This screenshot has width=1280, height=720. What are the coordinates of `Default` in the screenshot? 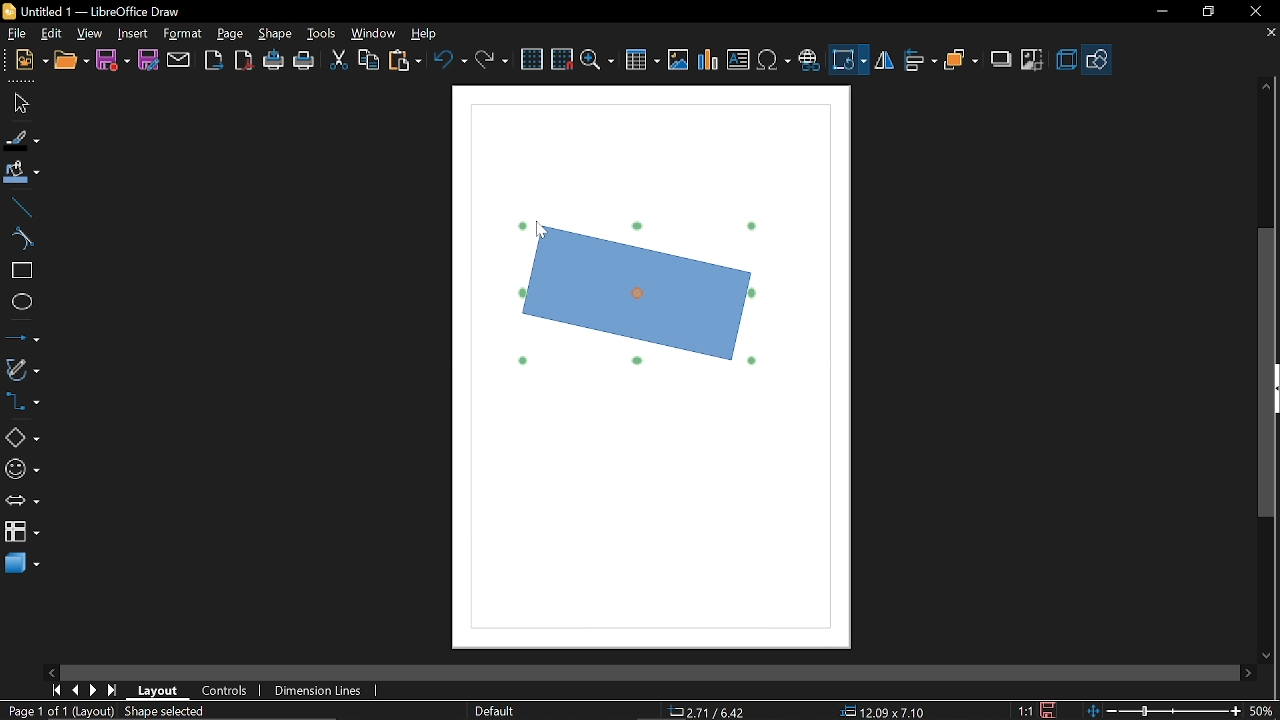 It's located at (492, 710).